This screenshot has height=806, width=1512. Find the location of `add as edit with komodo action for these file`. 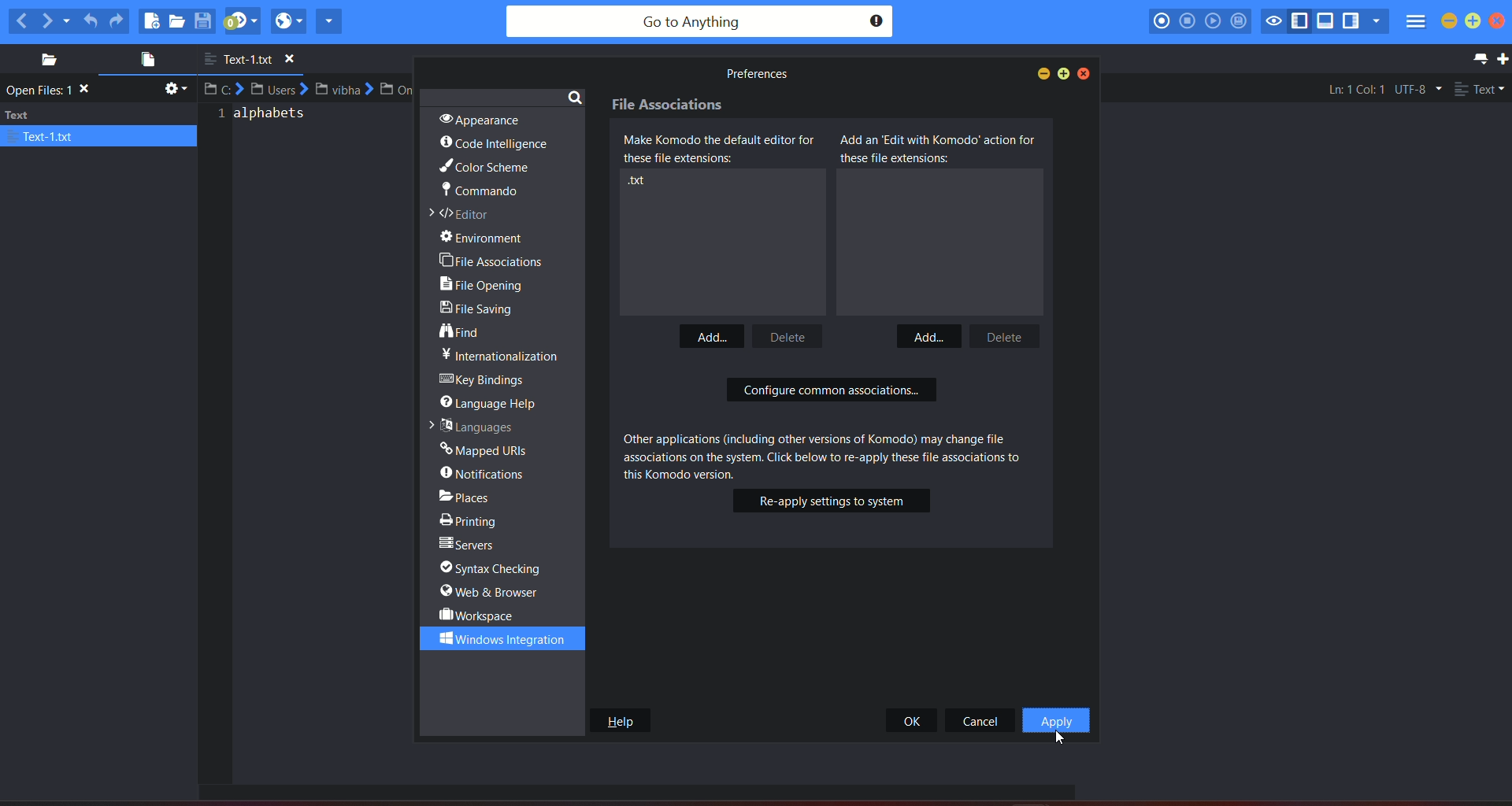

add as edit with komodo action for these file is located at coordinates (939, 149).